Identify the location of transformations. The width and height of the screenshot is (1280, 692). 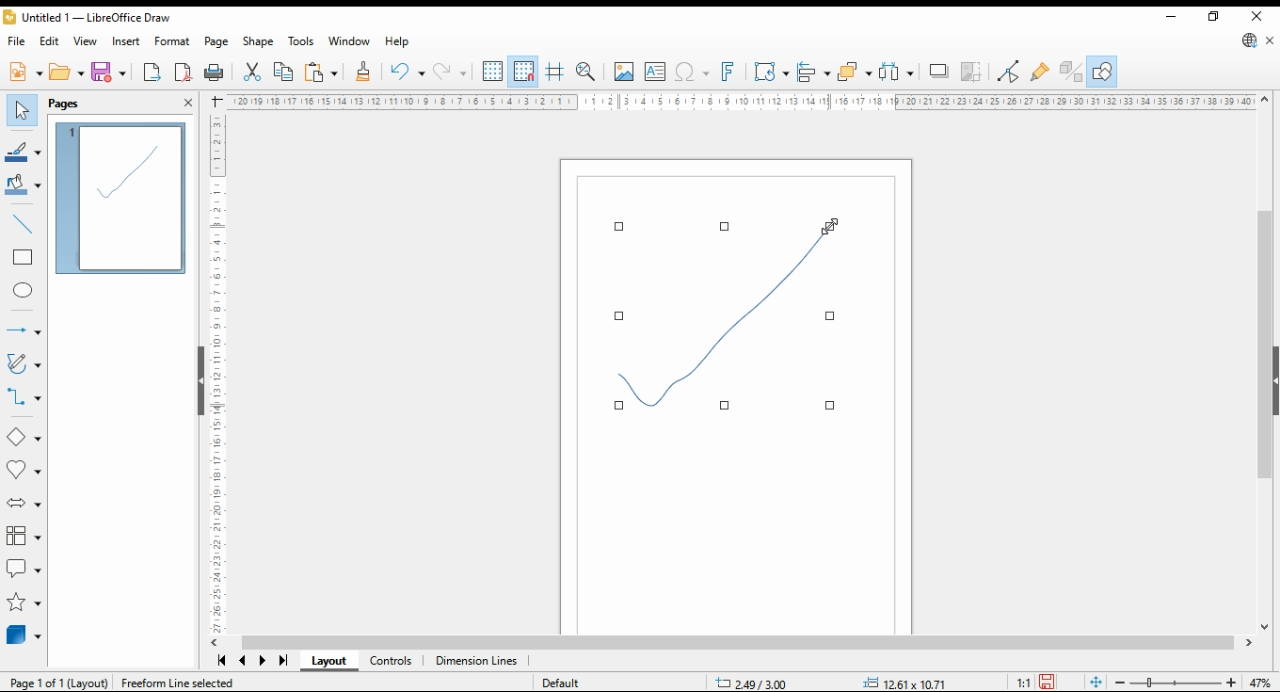
(770, 72).